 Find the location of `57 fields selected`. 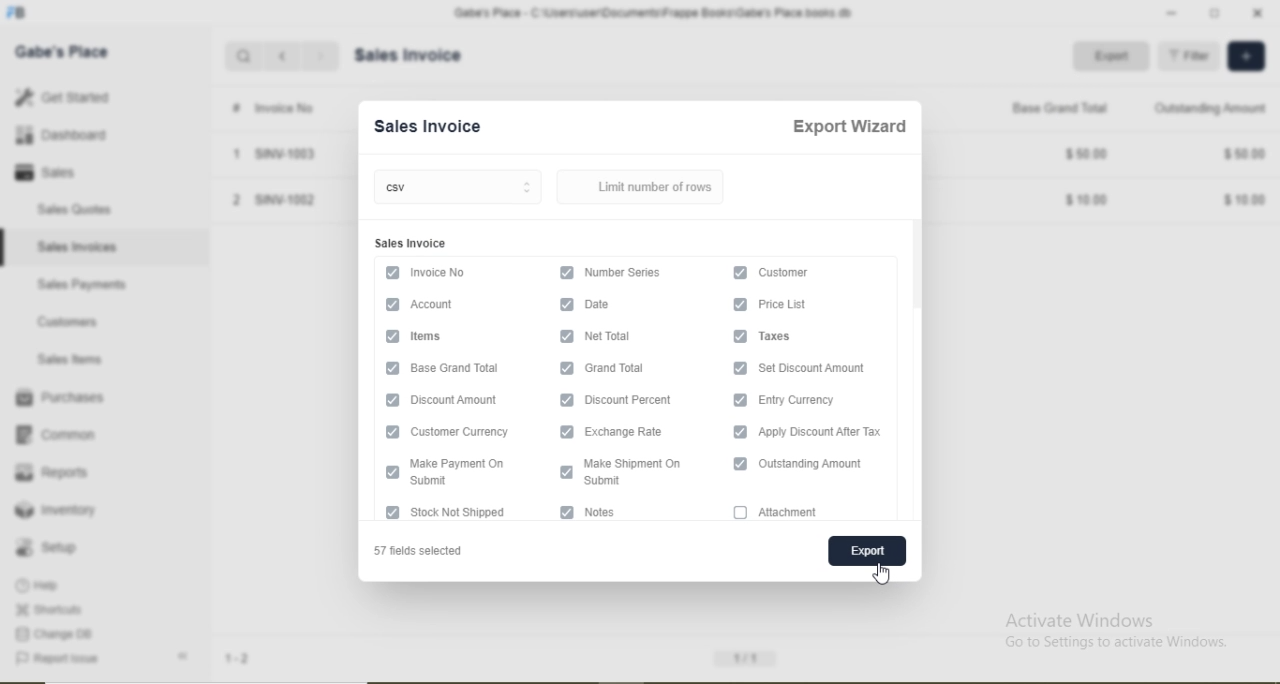

57 fields selected is located at coordinates (427, 552).